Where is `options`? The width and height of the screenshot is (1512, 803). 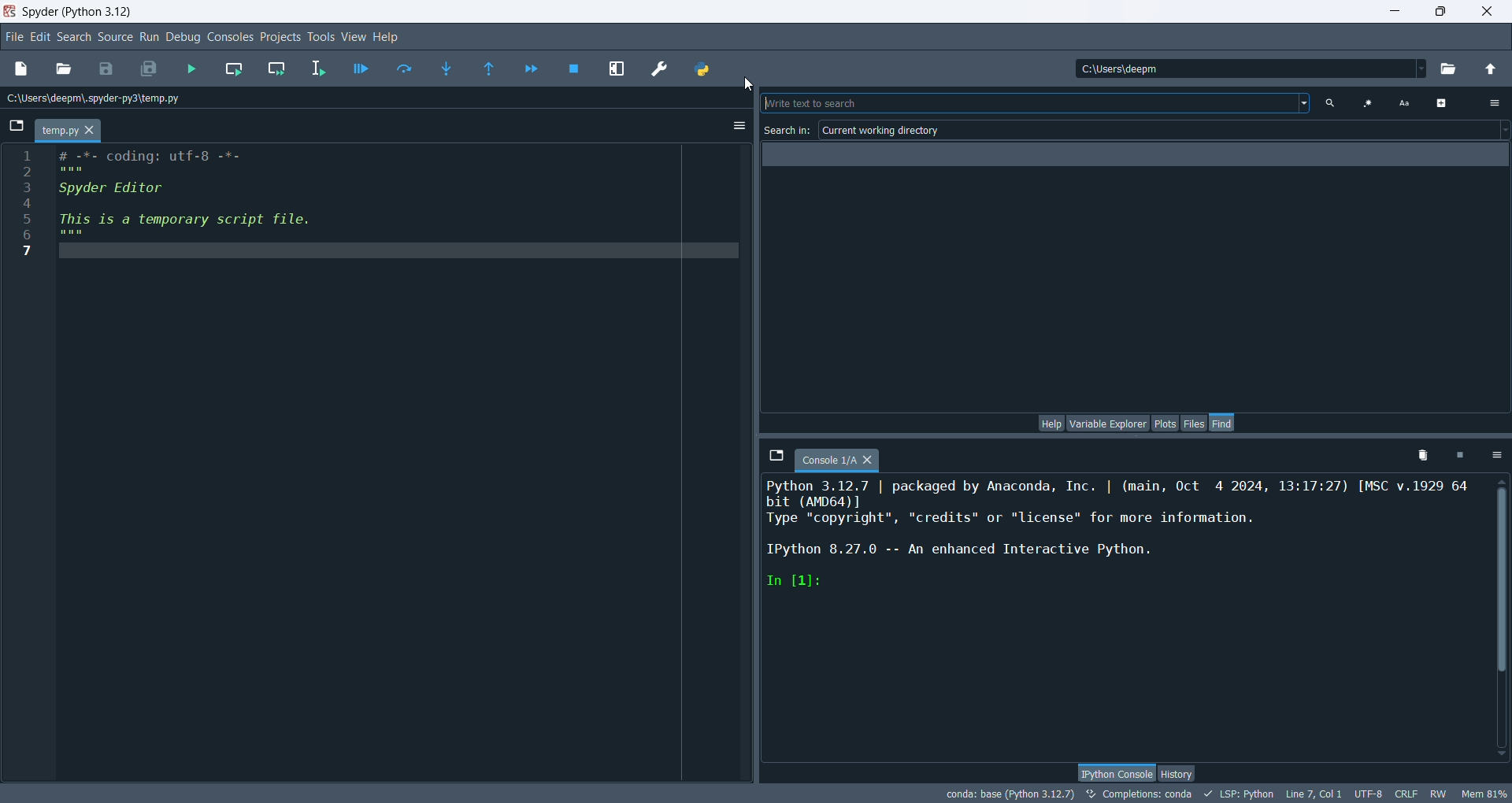 options is located at coordinates (737, 127).